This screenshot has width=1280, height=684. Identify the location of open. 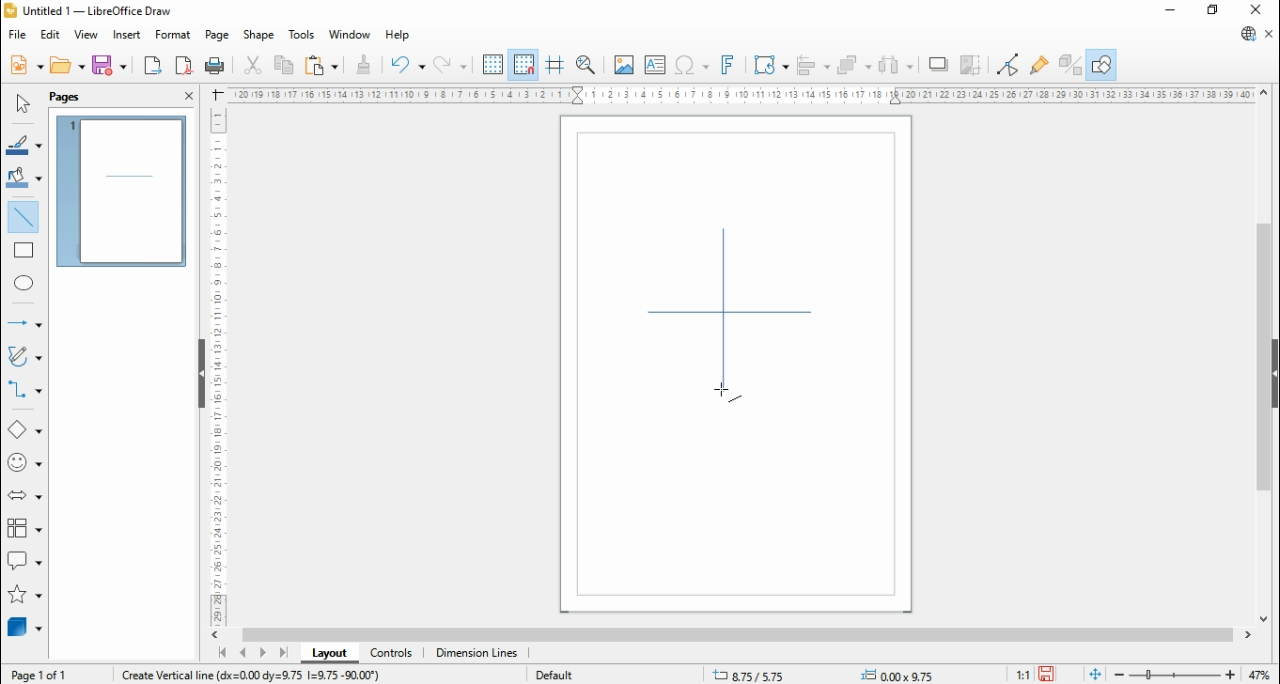
(69, 65).